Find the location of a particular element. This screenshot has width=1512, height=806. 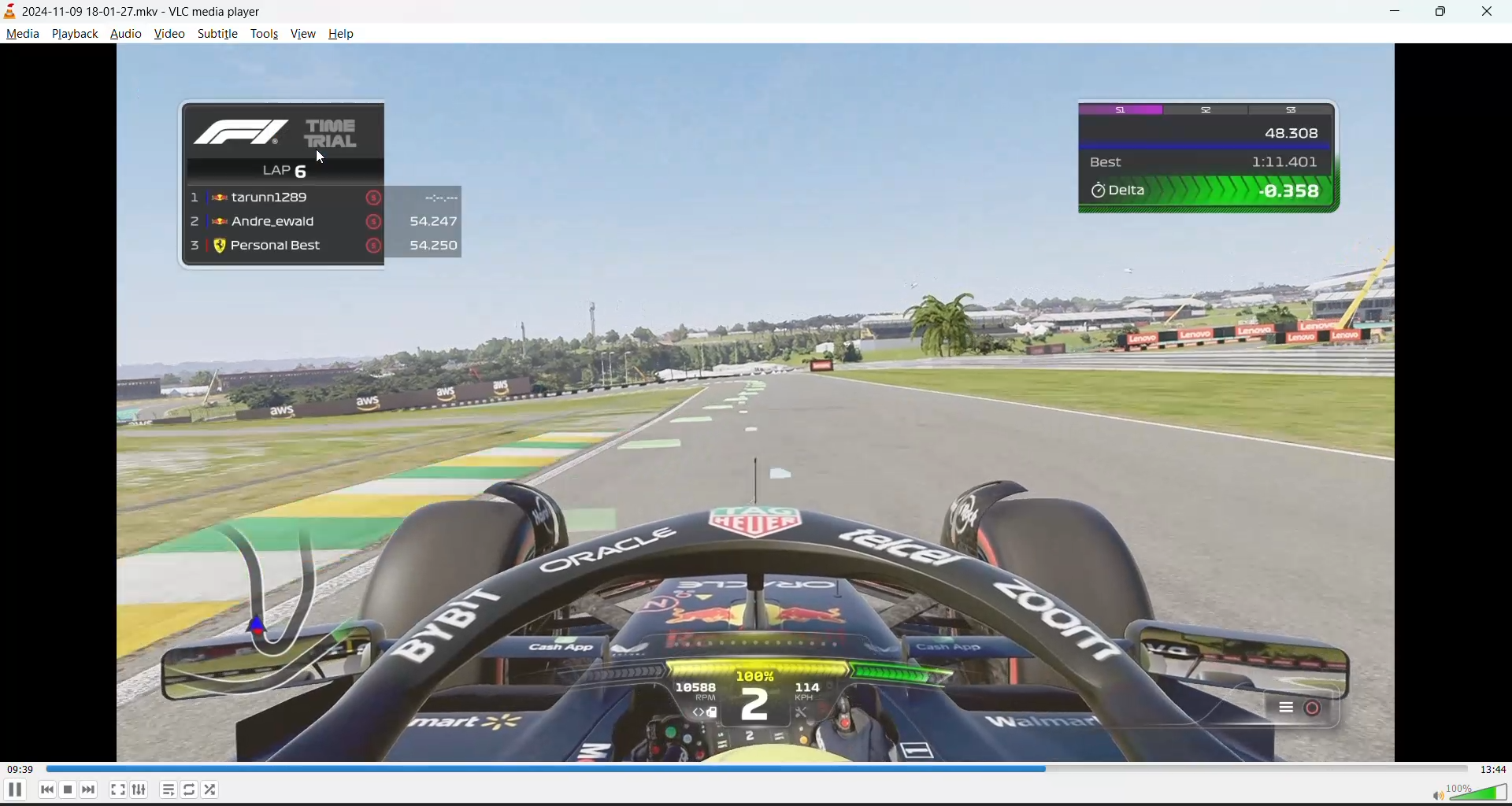

pause is located at coordinates (67, 791).